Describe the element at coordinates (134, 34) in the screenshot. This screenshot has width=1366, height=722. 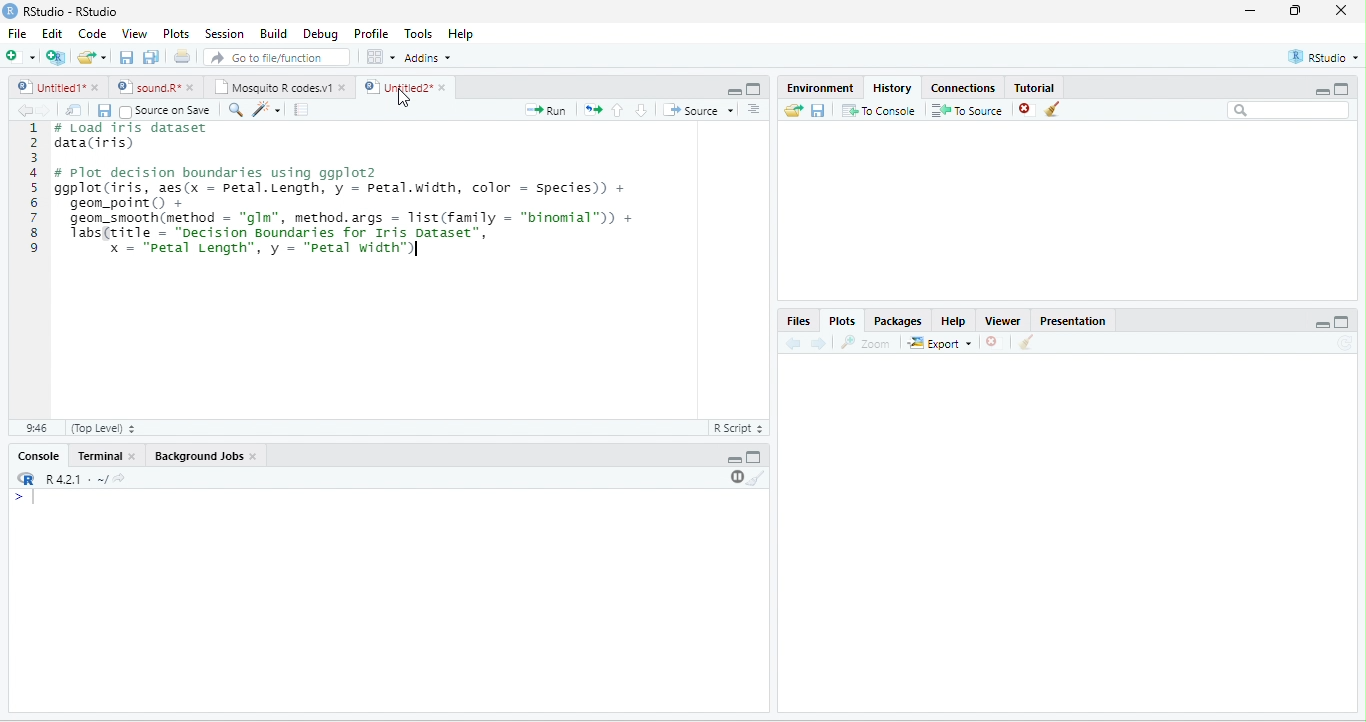
I see `View` at that location.